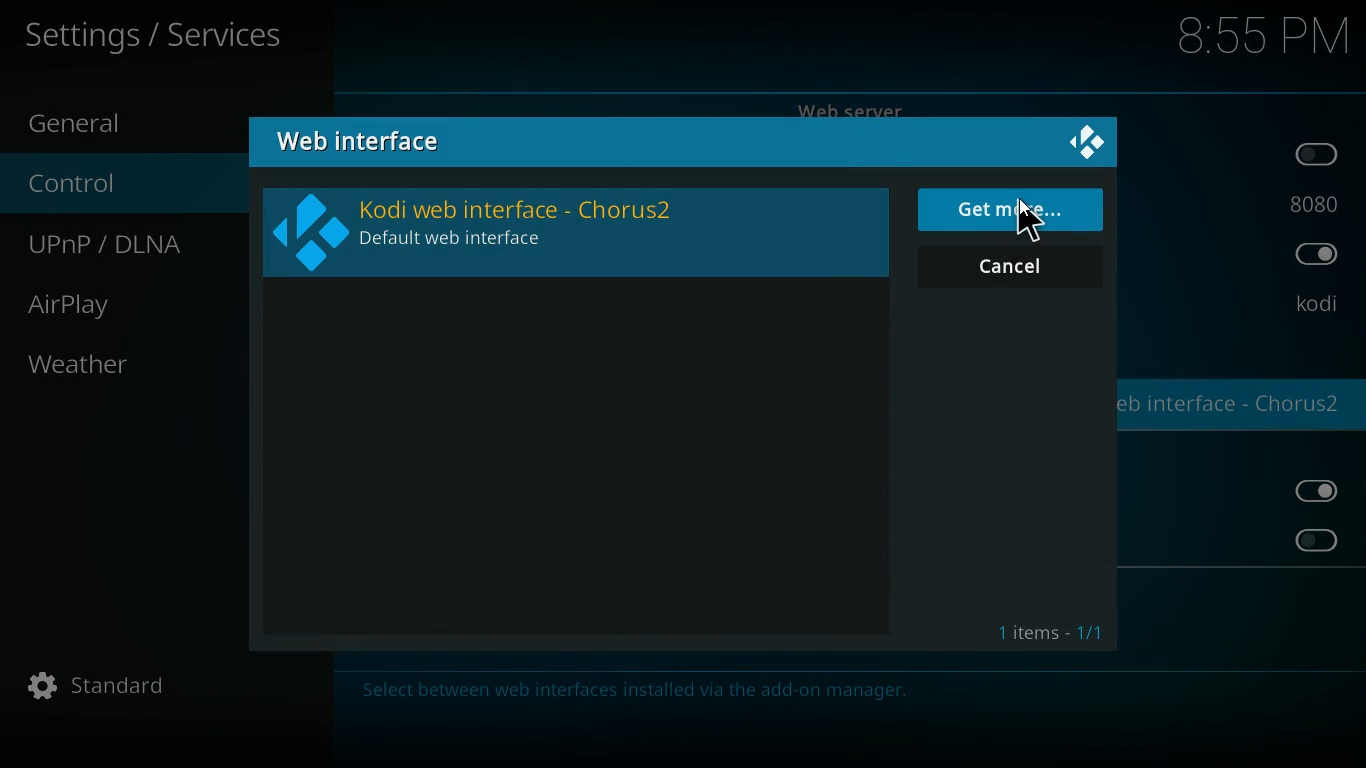  What do you see at coordinates (842, 693) in the screenshot?
I see `message` at bounding box center [842, 693].